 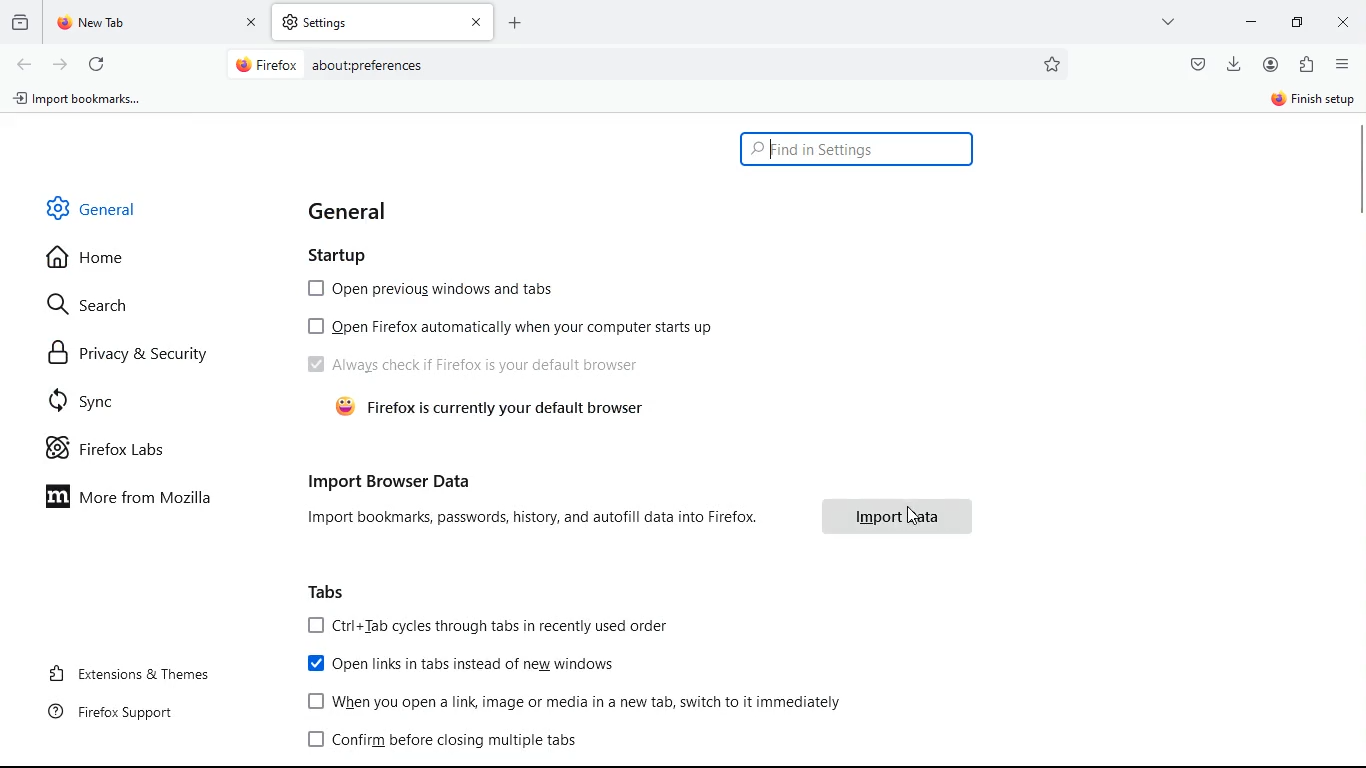 What do you see at coordinates (579, 702) in the screenshot?
I see `When you open a link image or media in a new tab, switch to it immediately` at bounding box center [579, 702].